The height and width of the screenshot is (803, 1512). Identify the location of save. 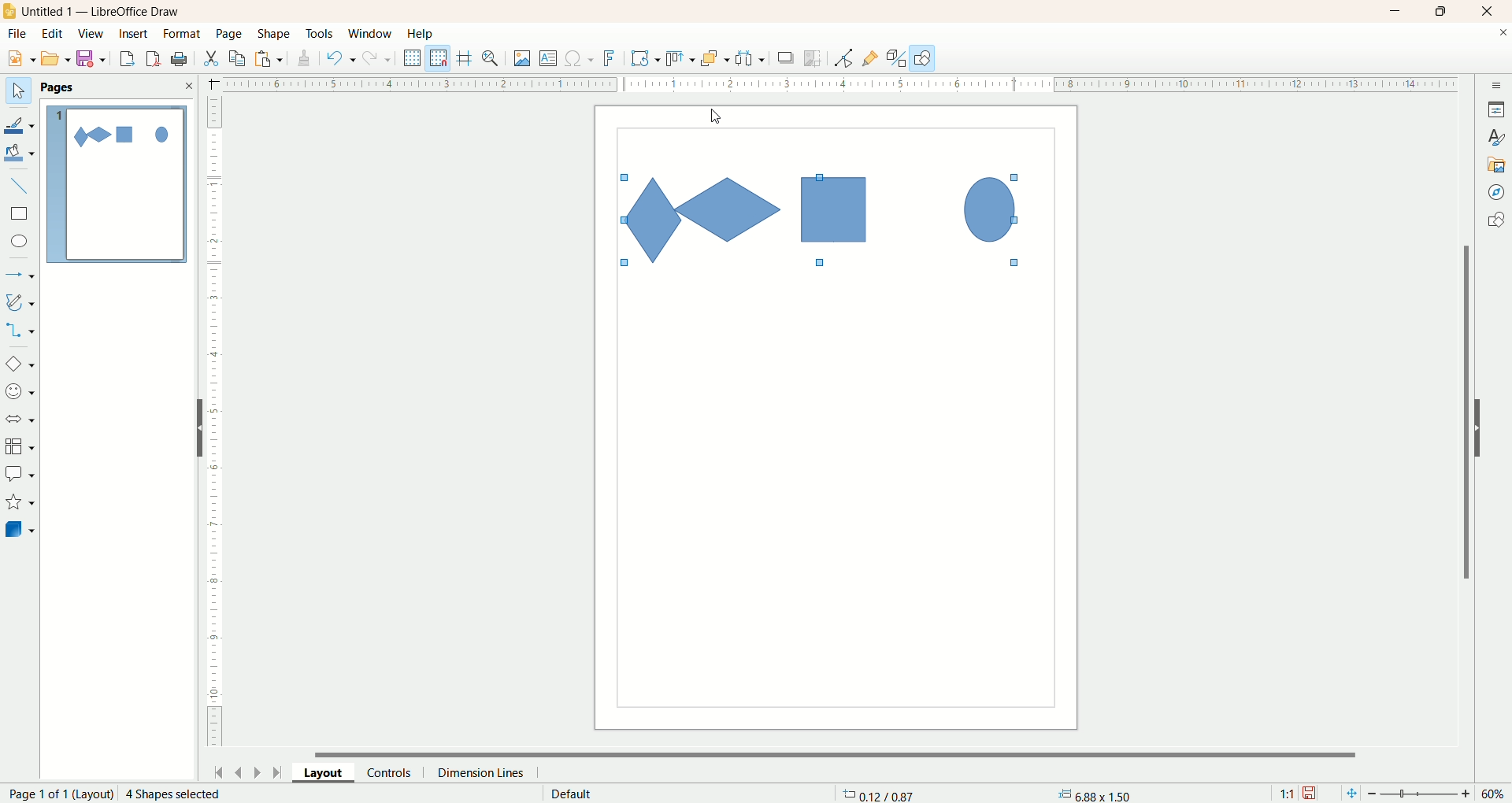
(1311, 794).